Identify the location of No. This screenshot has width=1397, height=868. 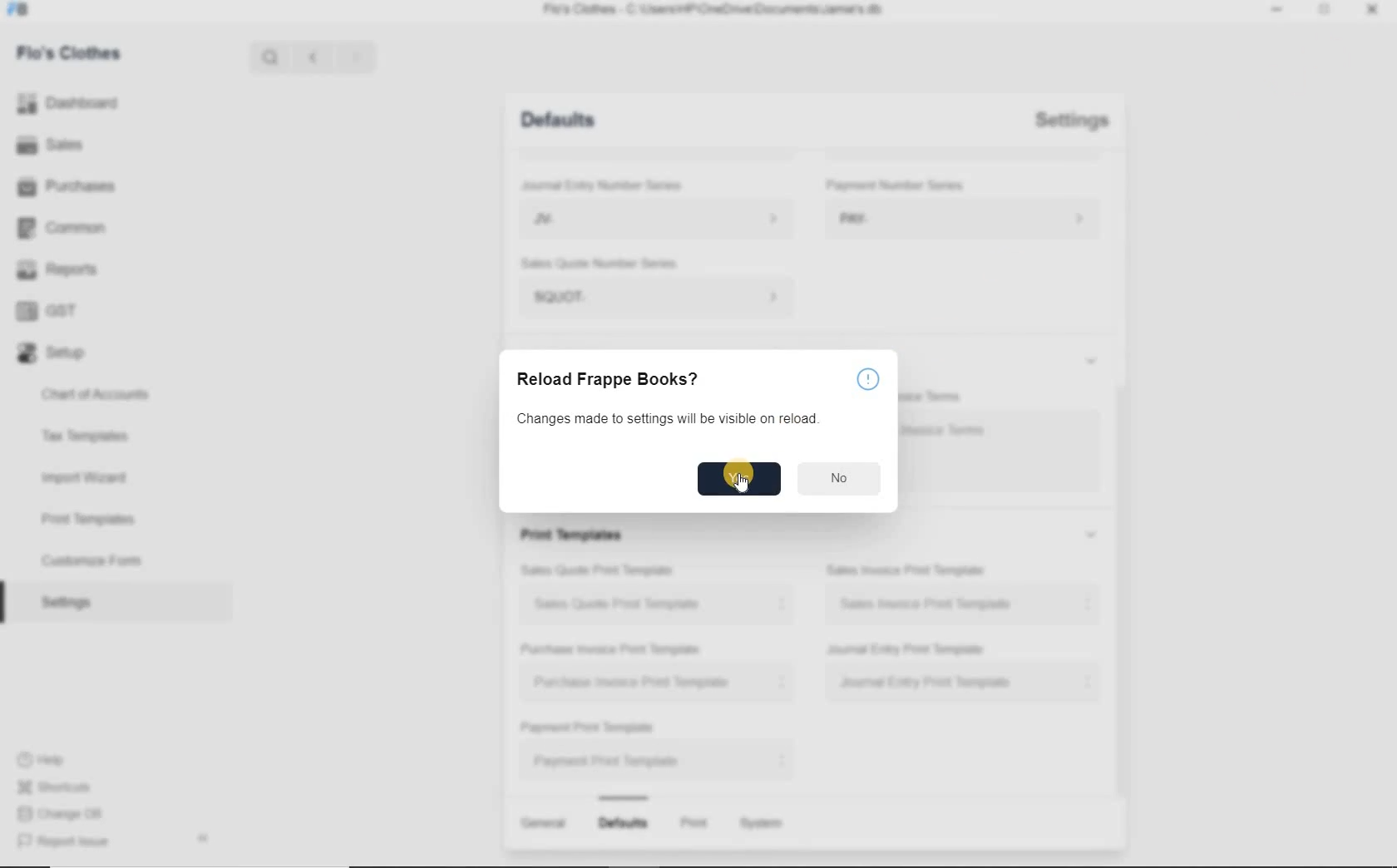
(837, 478).